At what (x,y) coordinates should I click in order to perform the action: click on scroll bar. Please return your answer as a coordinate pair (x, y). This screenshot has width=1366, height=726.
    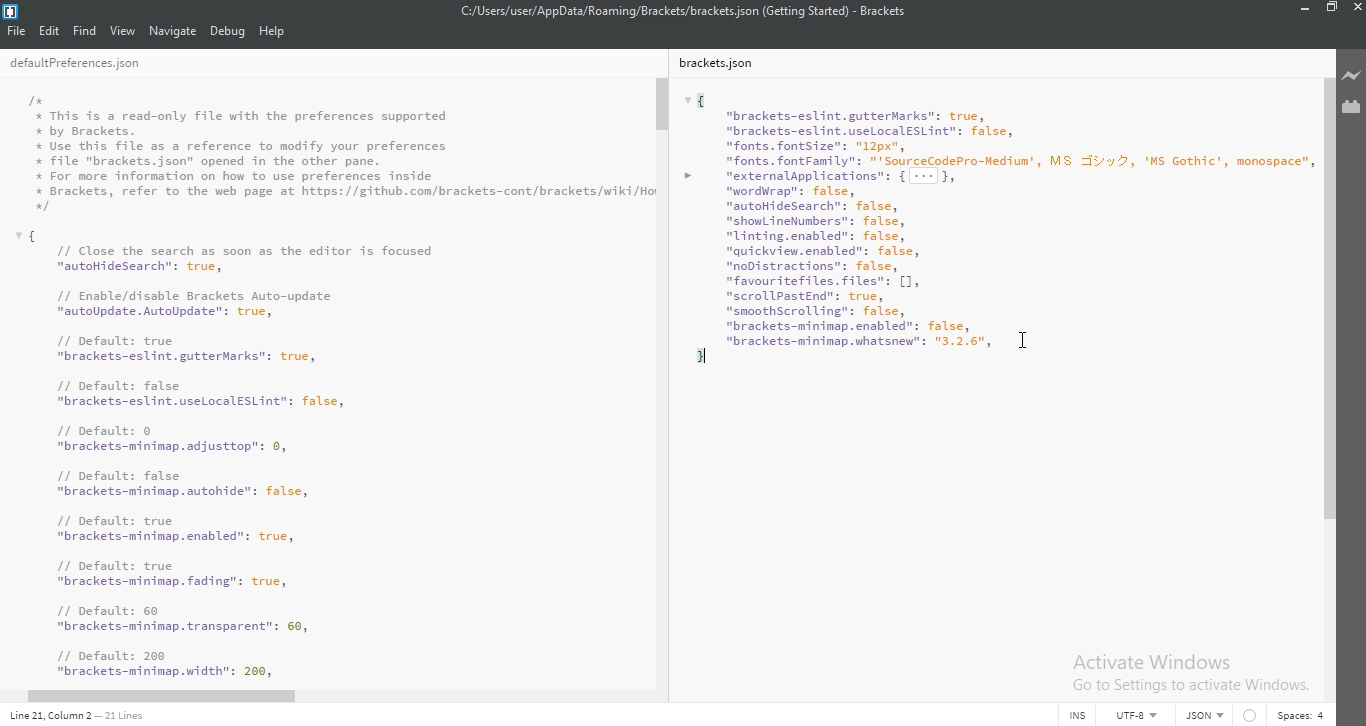
    Looking at the image, I should click on (1328, 326).